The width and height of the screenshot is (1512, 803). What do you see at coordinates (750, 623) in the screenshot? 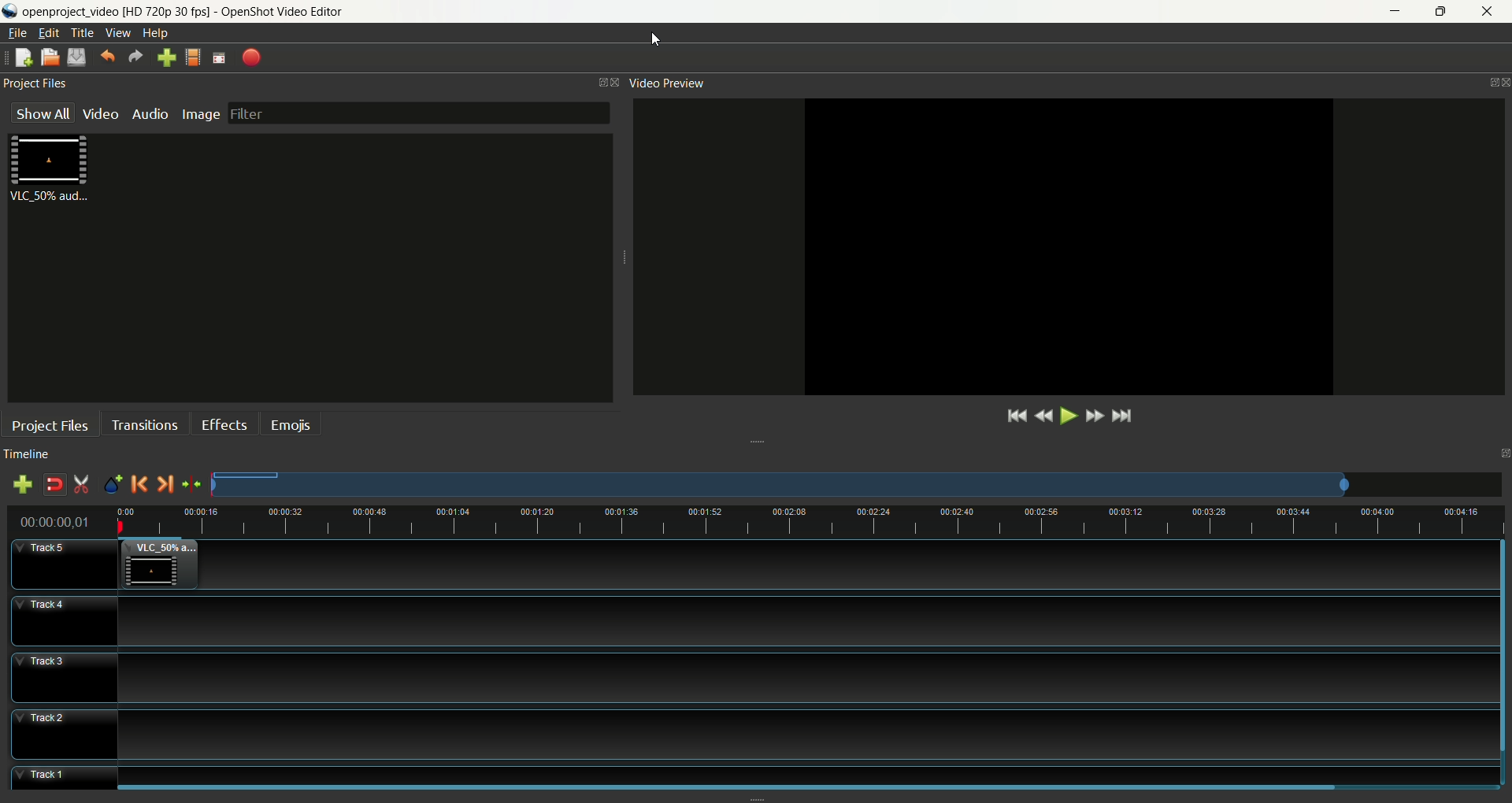
I see `track 4` at bounding box center [750, 623].